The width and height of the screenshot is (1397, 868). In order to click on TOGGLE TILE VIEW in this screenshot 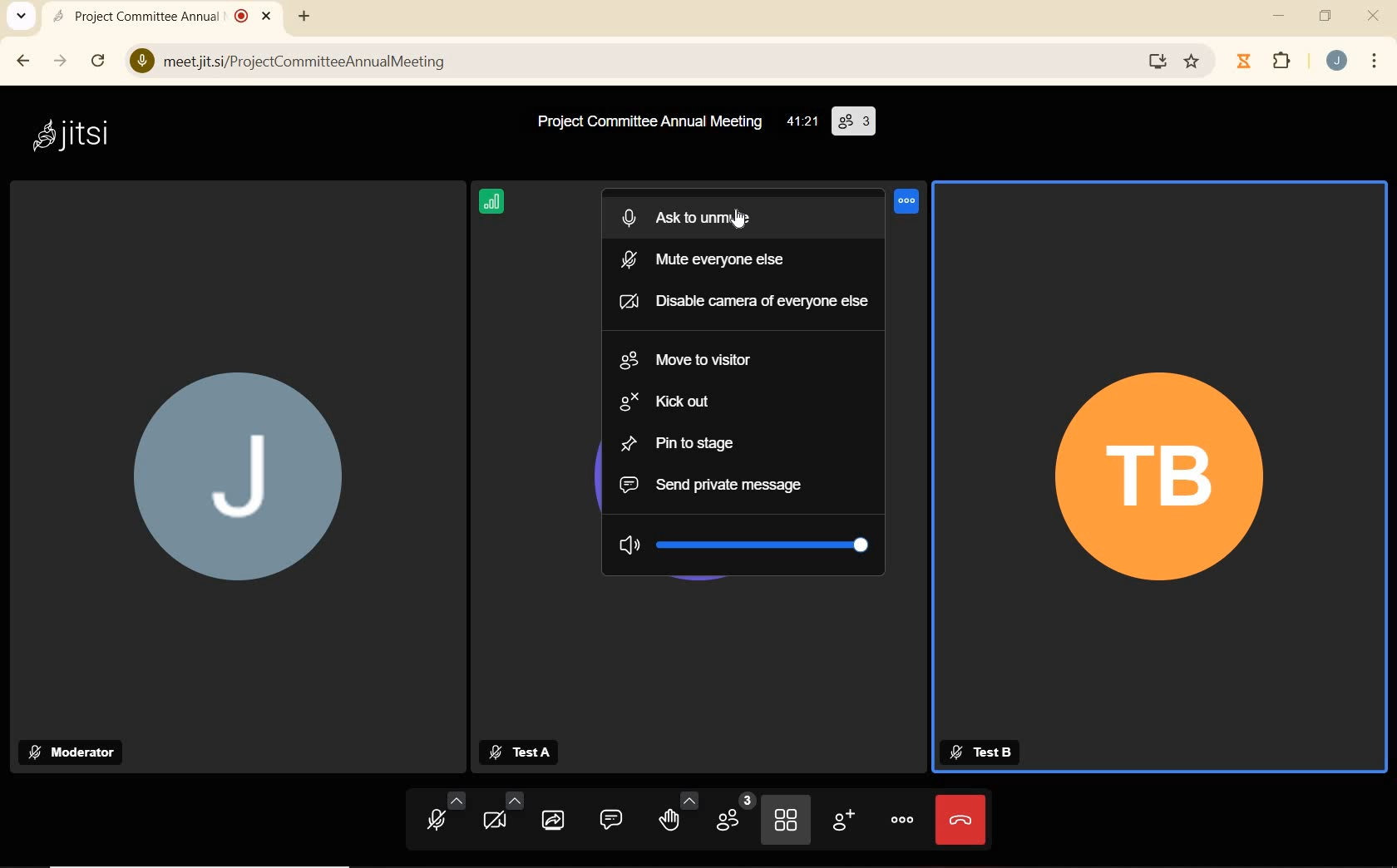, I will do `click(787, 820)`.